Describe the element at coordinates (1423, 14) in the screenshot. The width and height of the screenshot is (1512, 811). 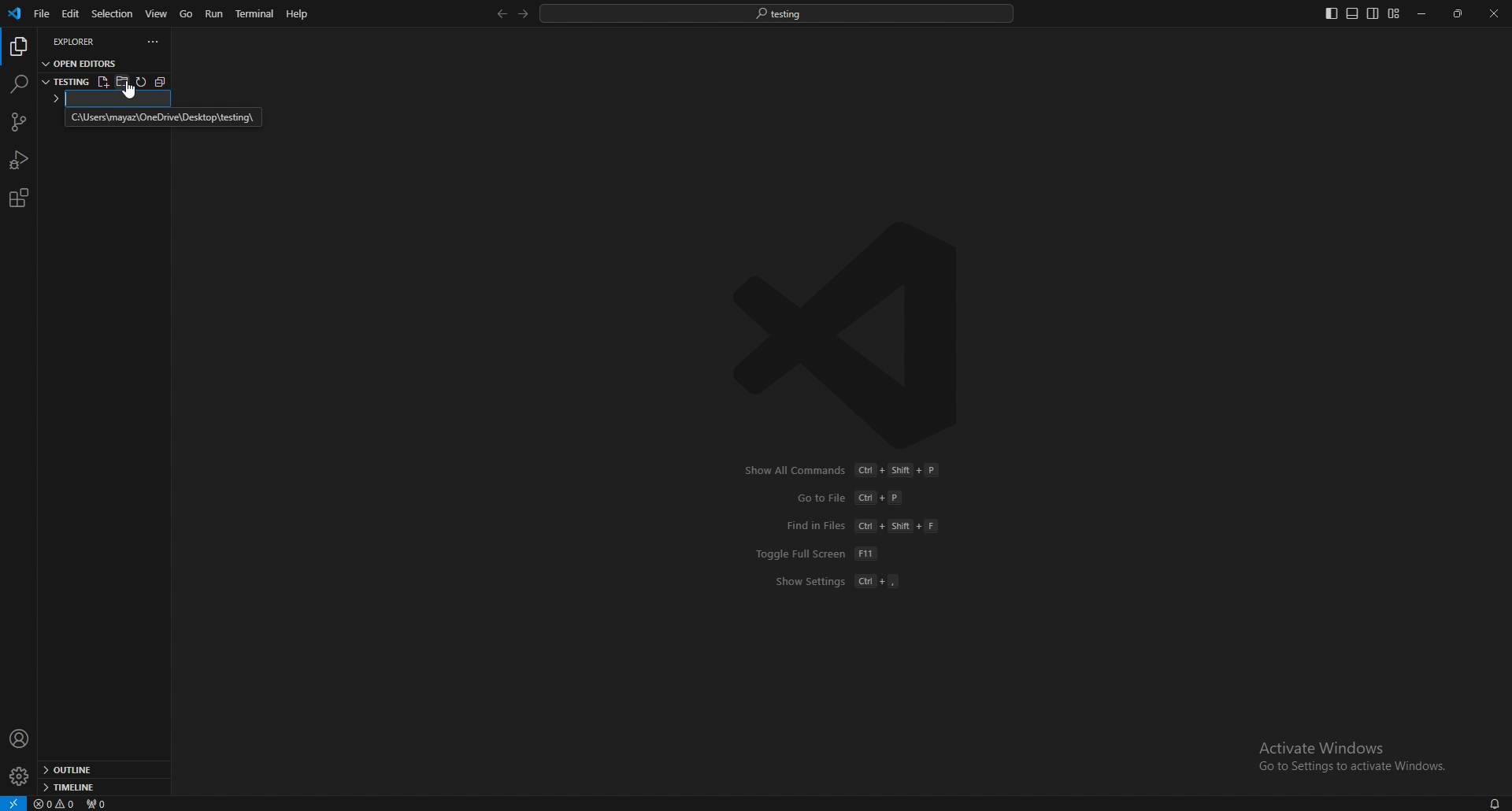
I see `minimize` at that location.